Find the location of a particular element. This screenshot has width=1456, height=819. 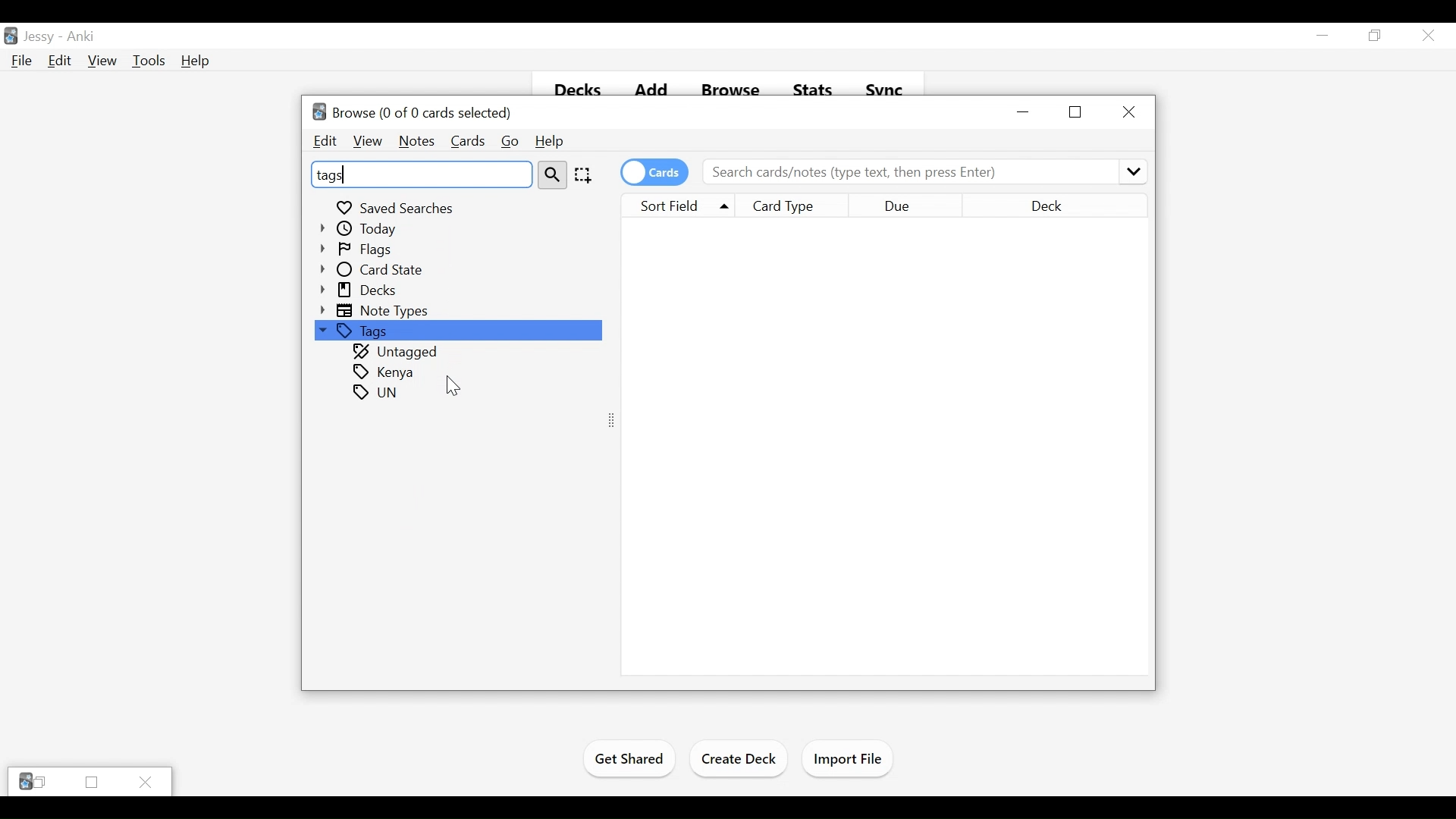

Search Tool is located at coordinates (553, 174).